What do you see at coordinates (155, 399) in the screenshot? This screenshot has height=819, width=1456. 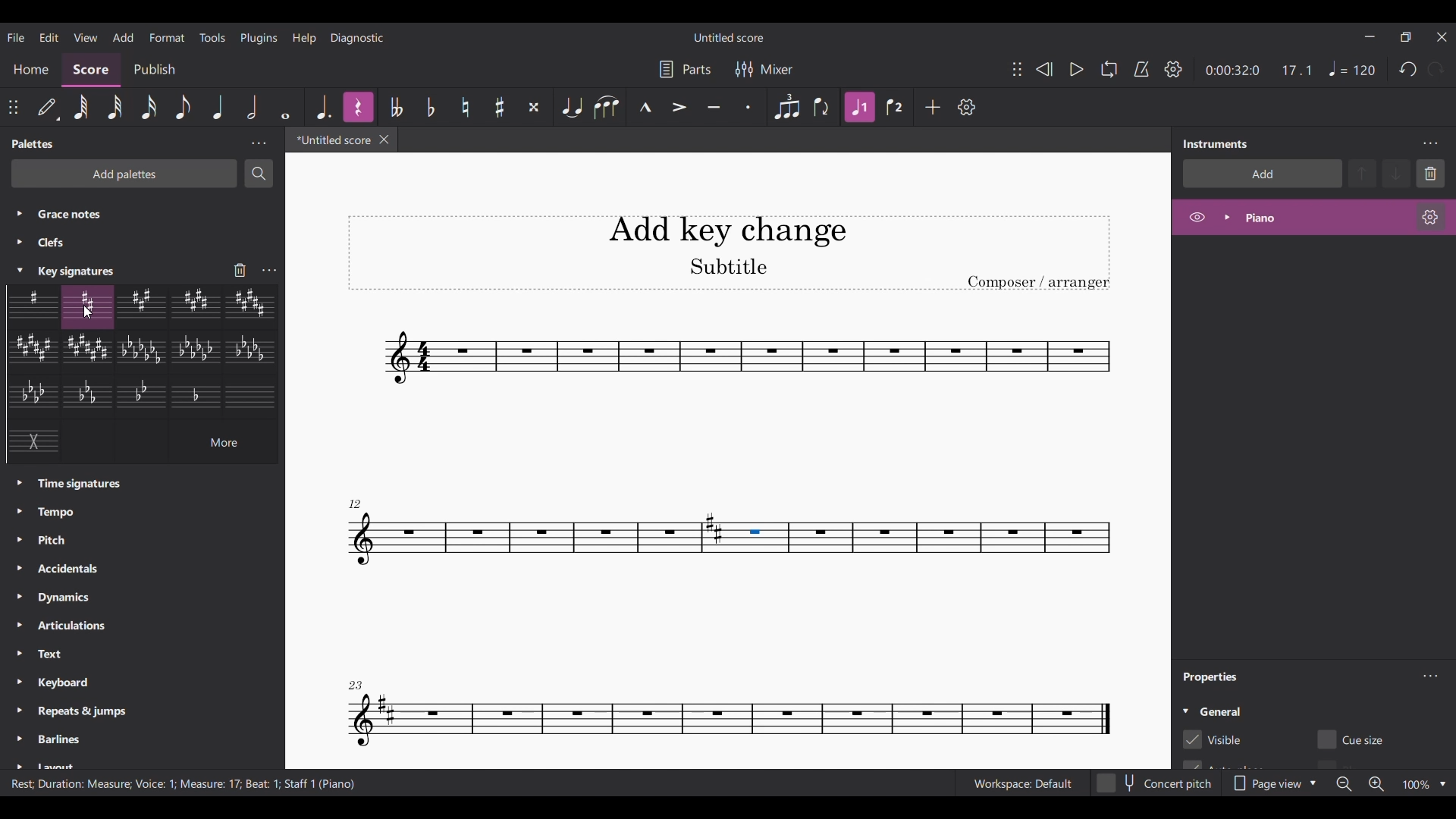 I see `Key signature options` at bounding box center [155, 399].